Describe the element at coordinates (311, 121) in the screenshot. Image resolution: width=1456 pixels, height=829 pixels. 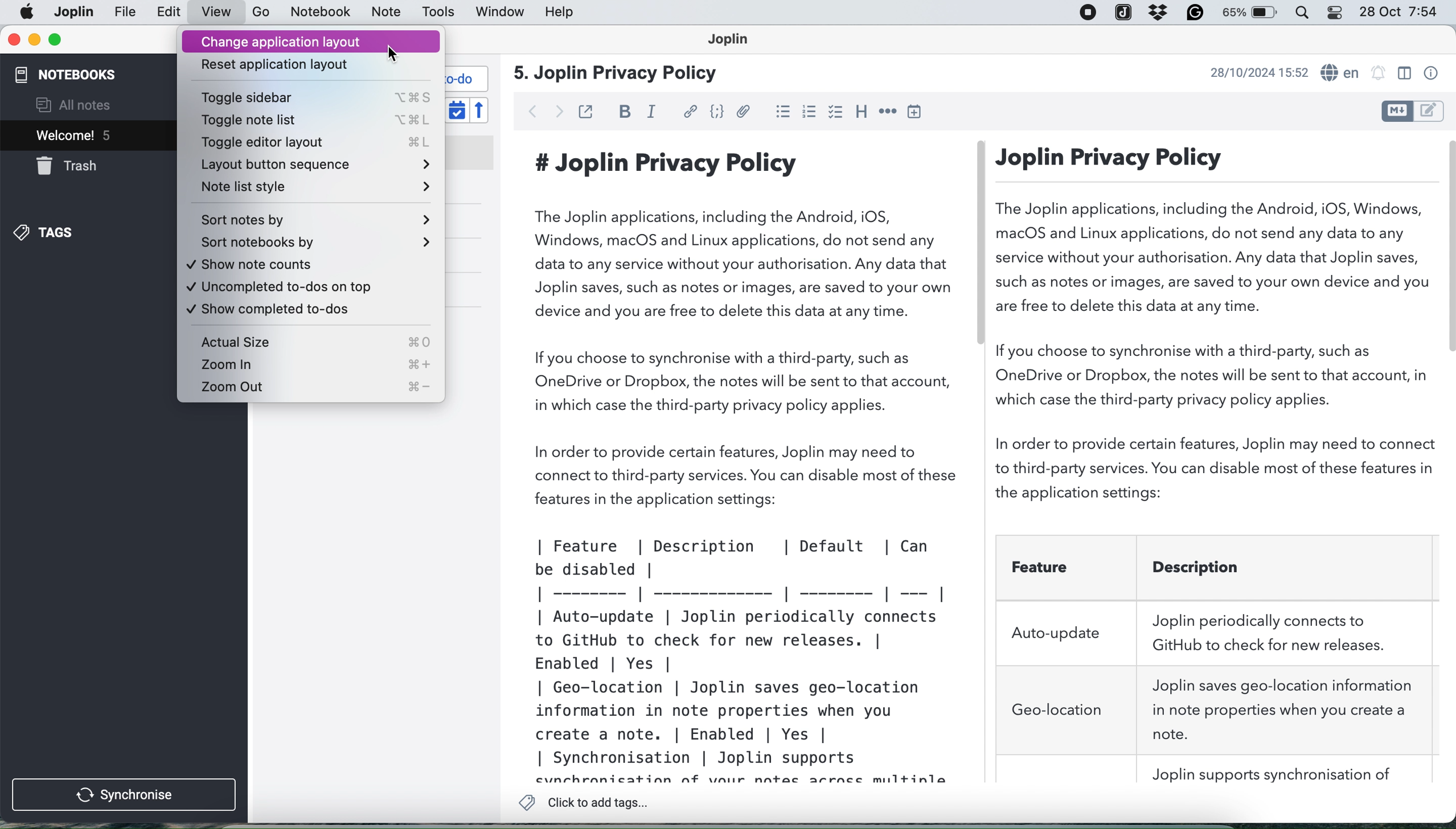
I see `Toggle note list` at that location.